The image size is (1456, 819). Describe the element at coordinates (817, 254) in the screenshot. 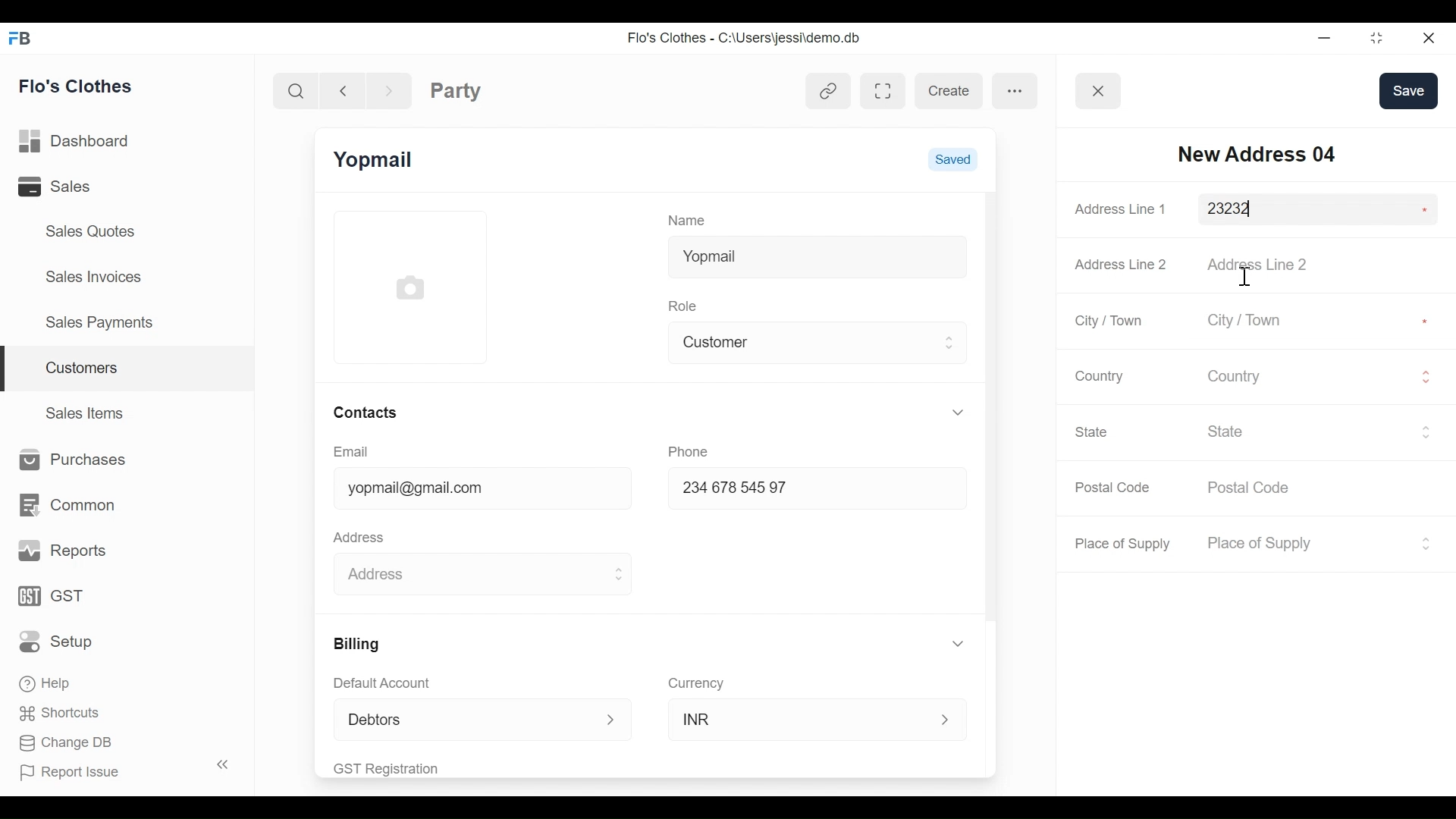

I see `Yopmail` at that location.